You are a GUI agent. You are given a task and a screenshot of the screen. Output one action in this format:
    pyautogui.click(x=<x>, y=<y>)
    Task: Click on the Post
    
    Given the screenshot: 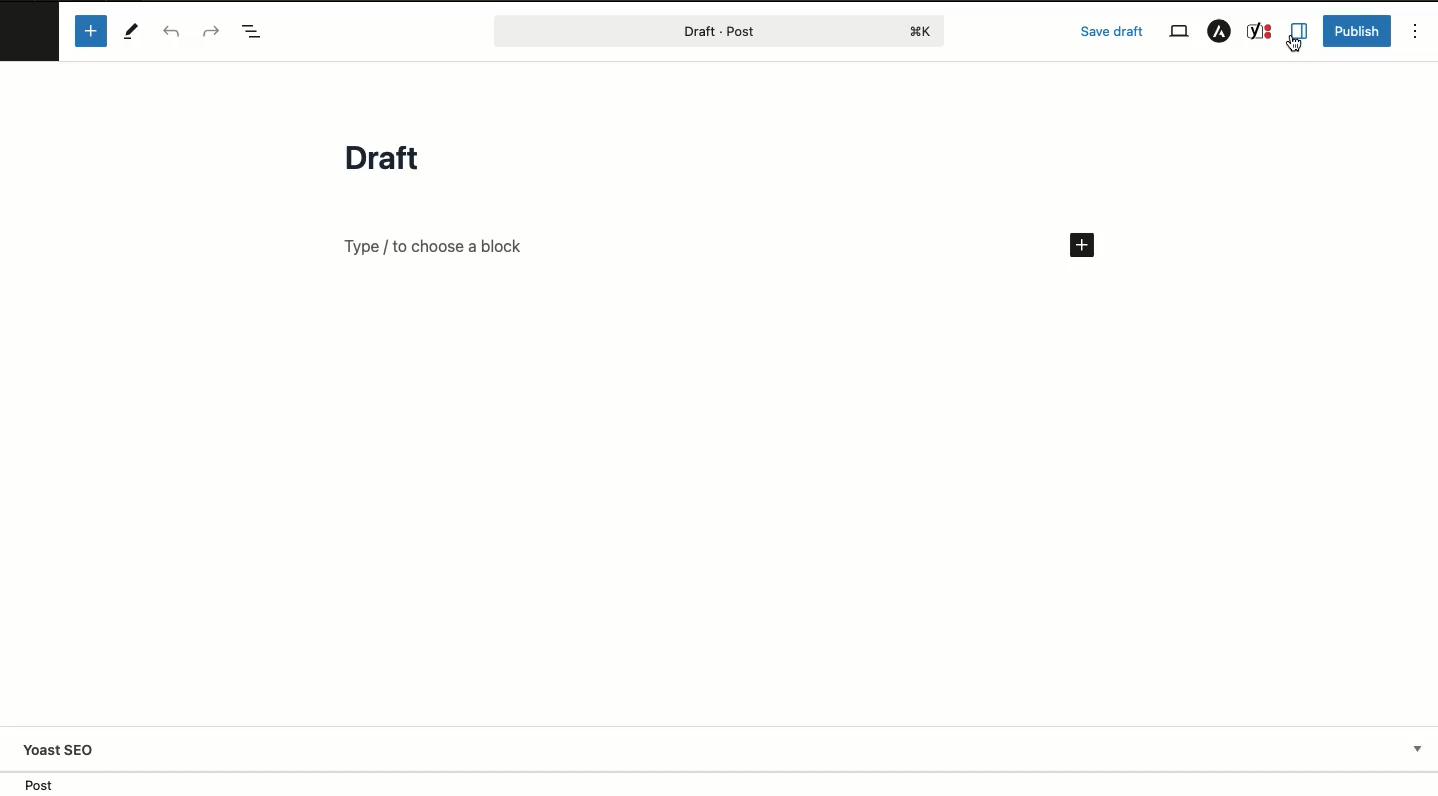 What is the action you would take?
    pyautogui.click(x=676, y=31)
    